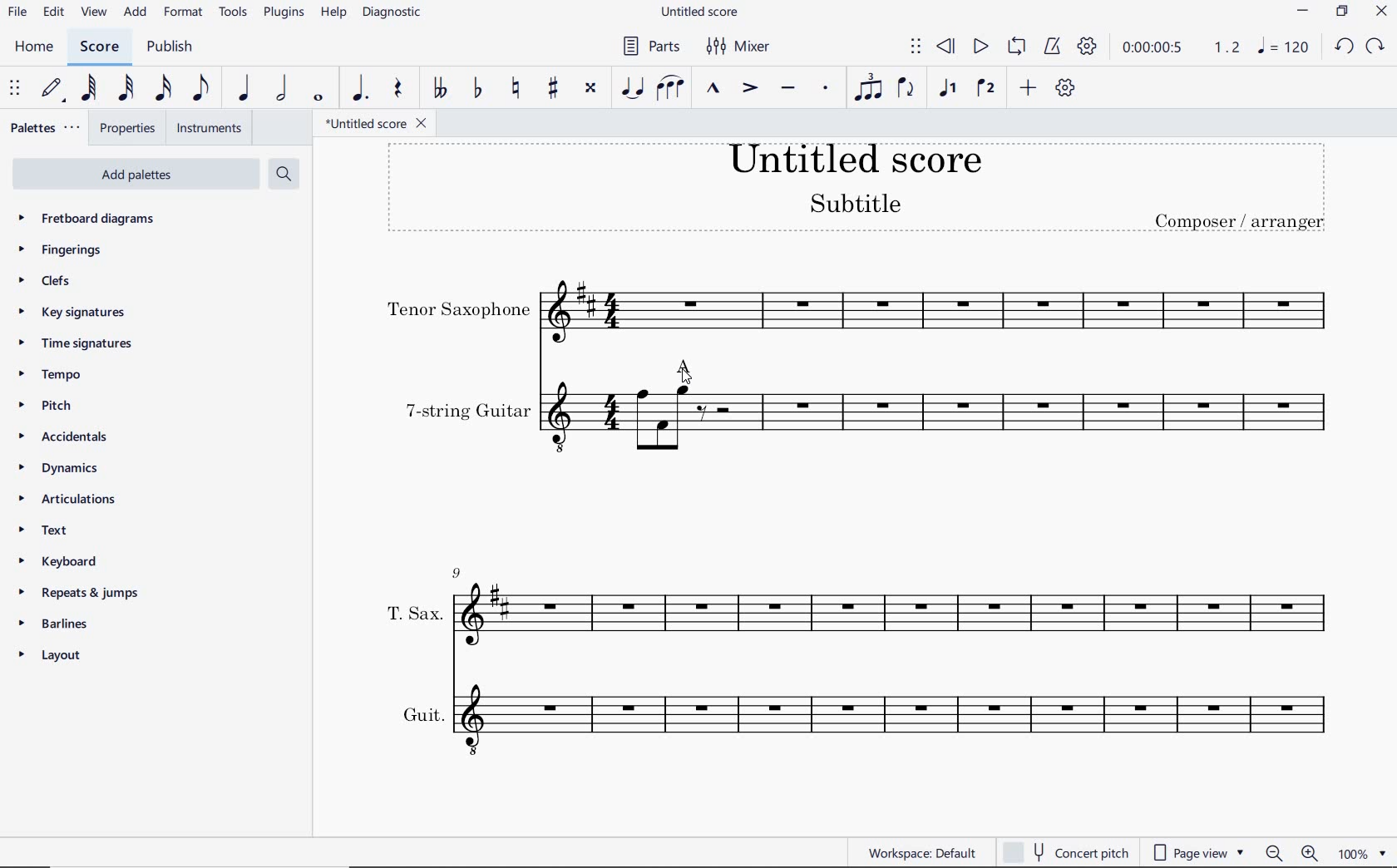  I want to click on SLUR, so click(671, 86).